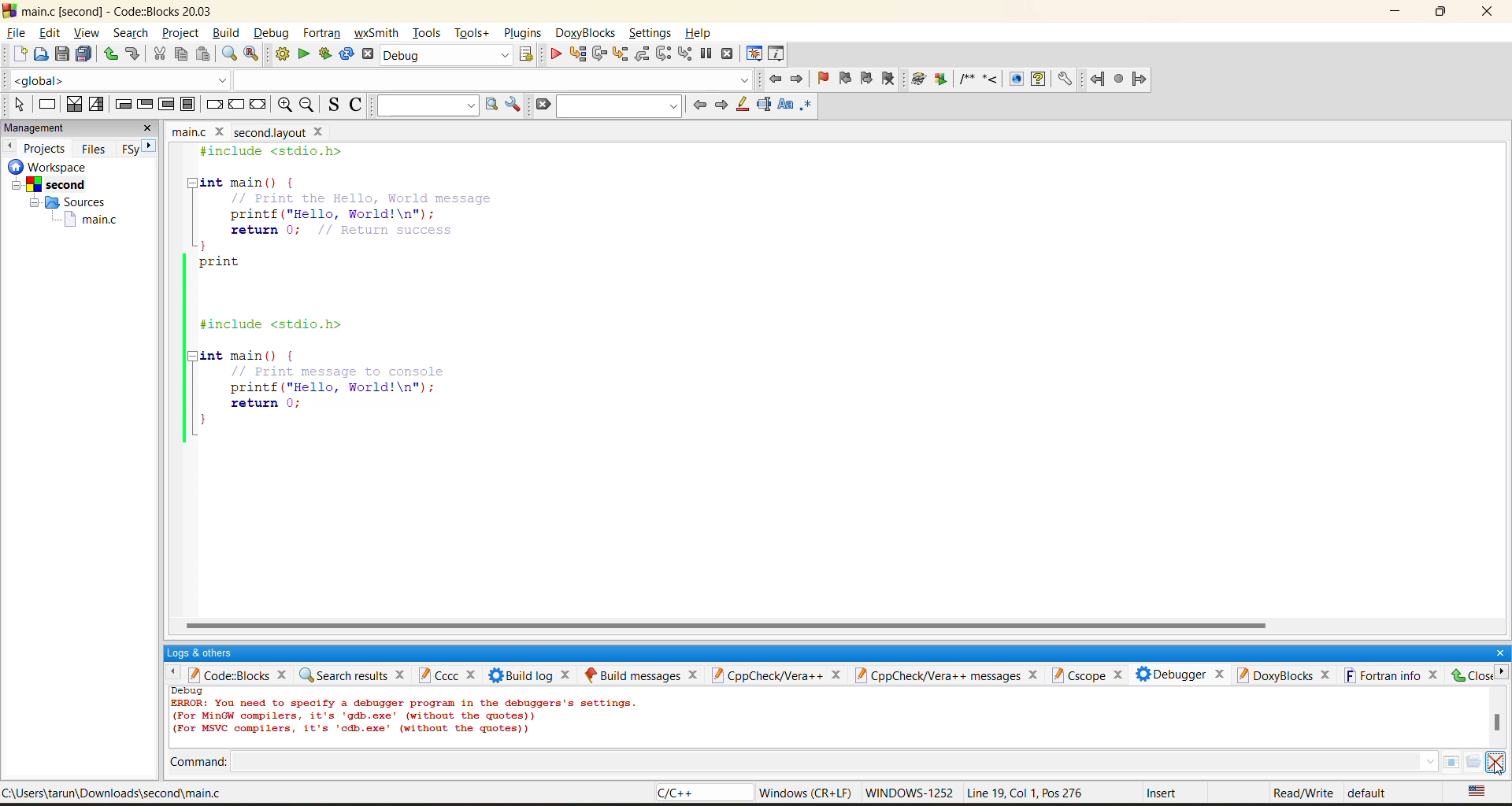 This screenshot has width=1512, height=806. What do you see at coordinates (1495, 764) in the screenshot?
I see `cursor` at bounding box center [1495, 764].